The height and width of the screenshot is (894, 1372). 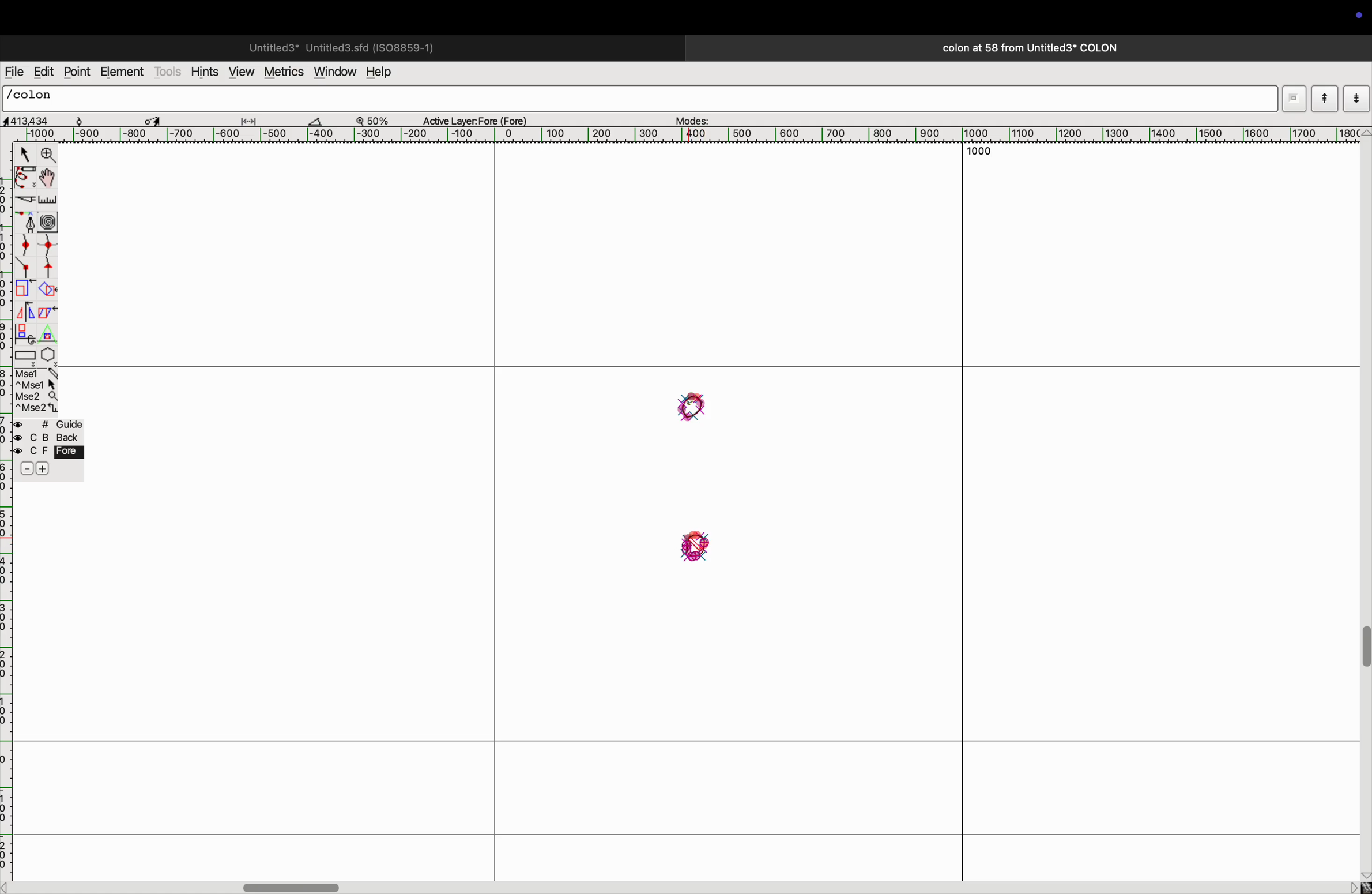 What do you see at coordinates (1363, 654) in the screenshot?
I see `toogle` at bounding box center [1363, 654].